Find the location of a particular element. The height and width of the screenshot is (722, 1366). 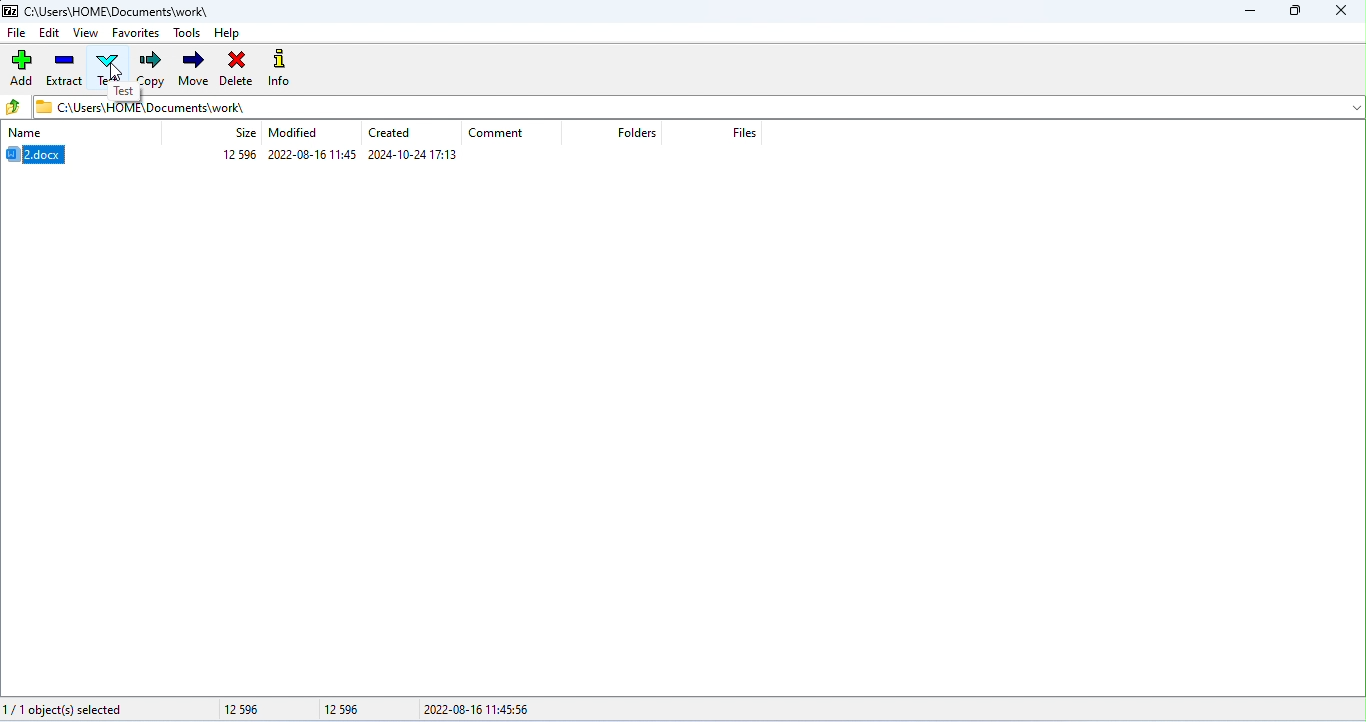

move is located at coordinates (192, 67).